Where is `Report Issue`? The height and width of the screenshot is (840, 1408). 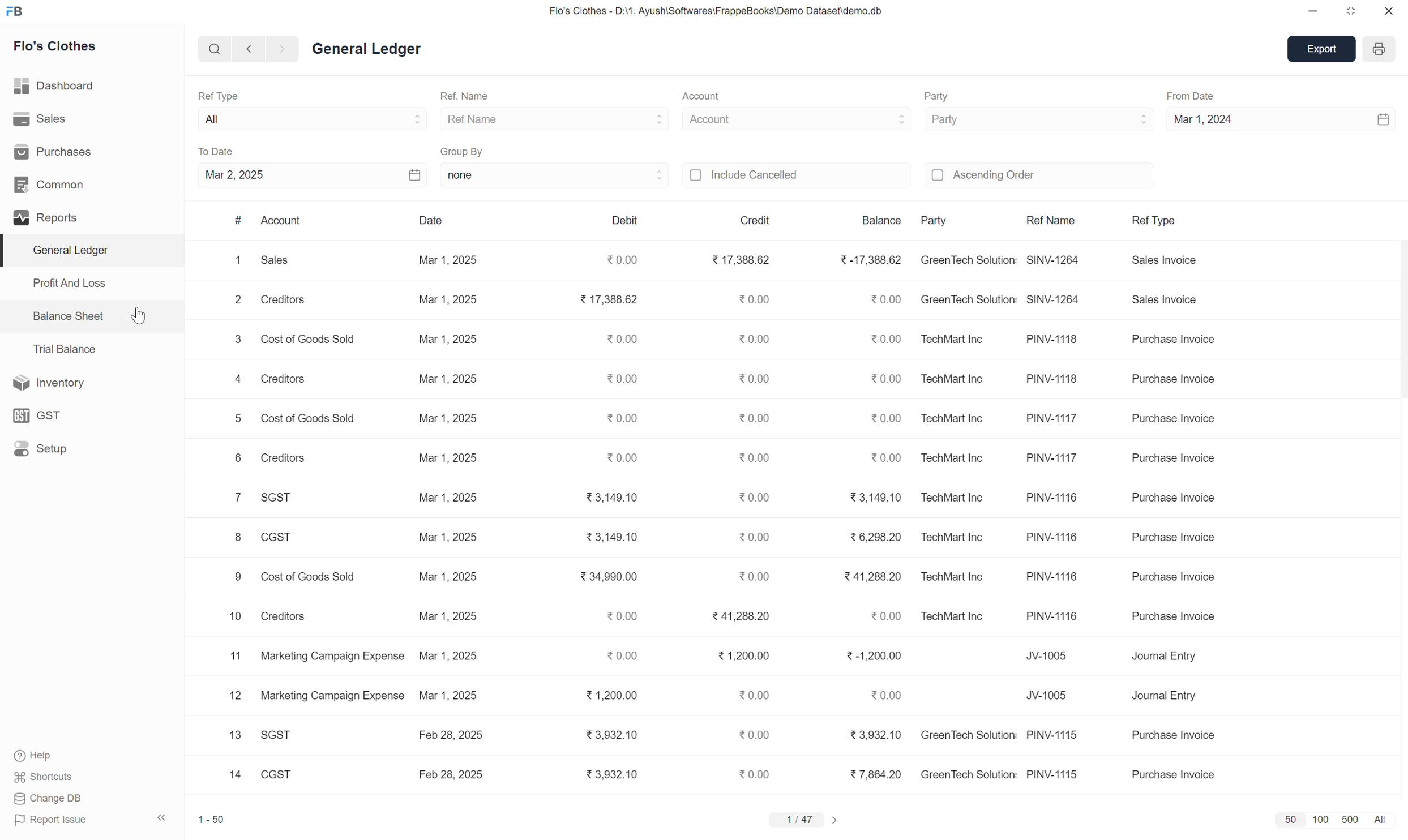 Report Issue is located at coordinates (47, 820).